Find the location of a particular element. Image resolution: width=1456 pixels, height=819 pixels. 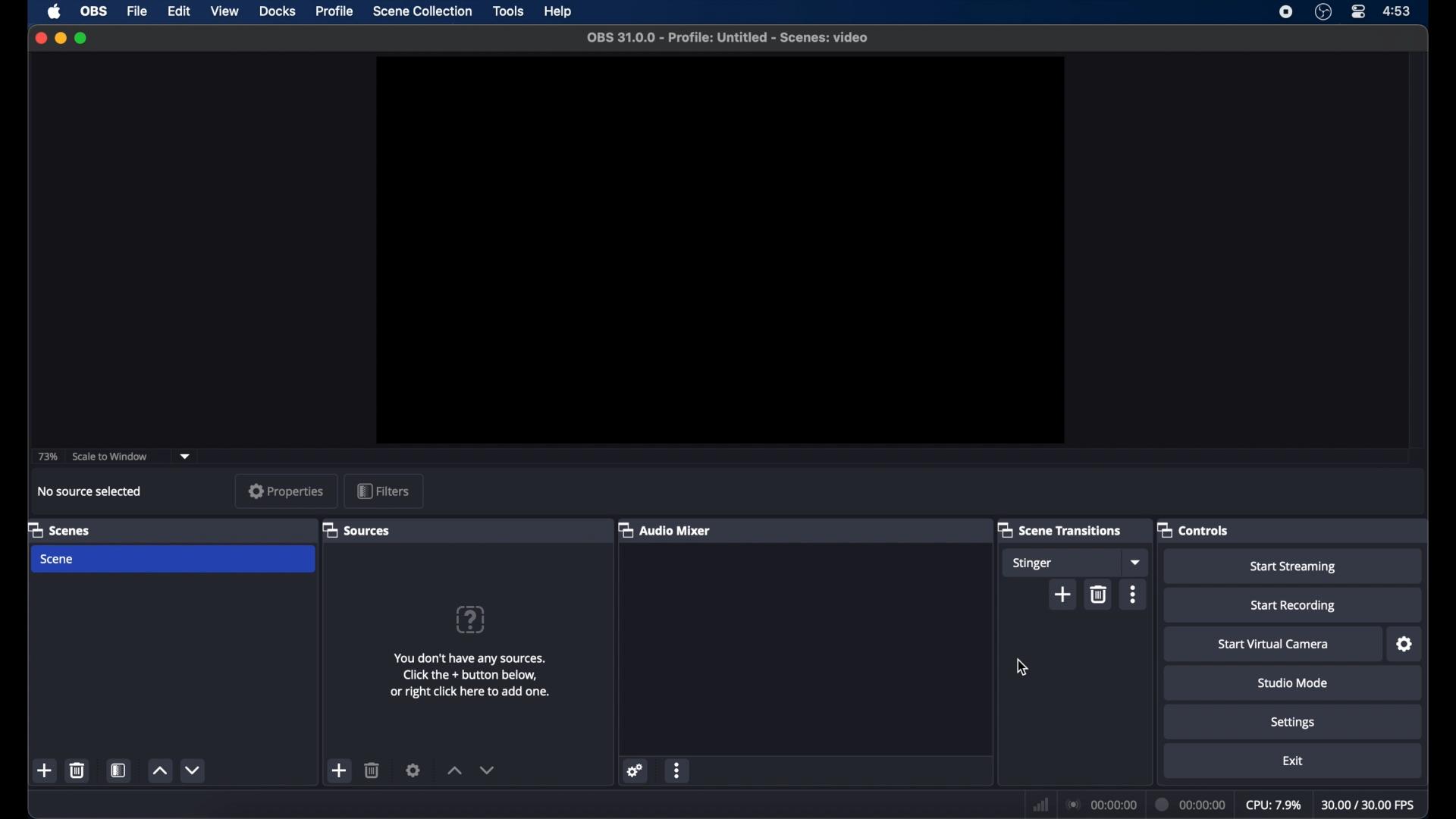

scene collection is located at coordinates (424, 11).